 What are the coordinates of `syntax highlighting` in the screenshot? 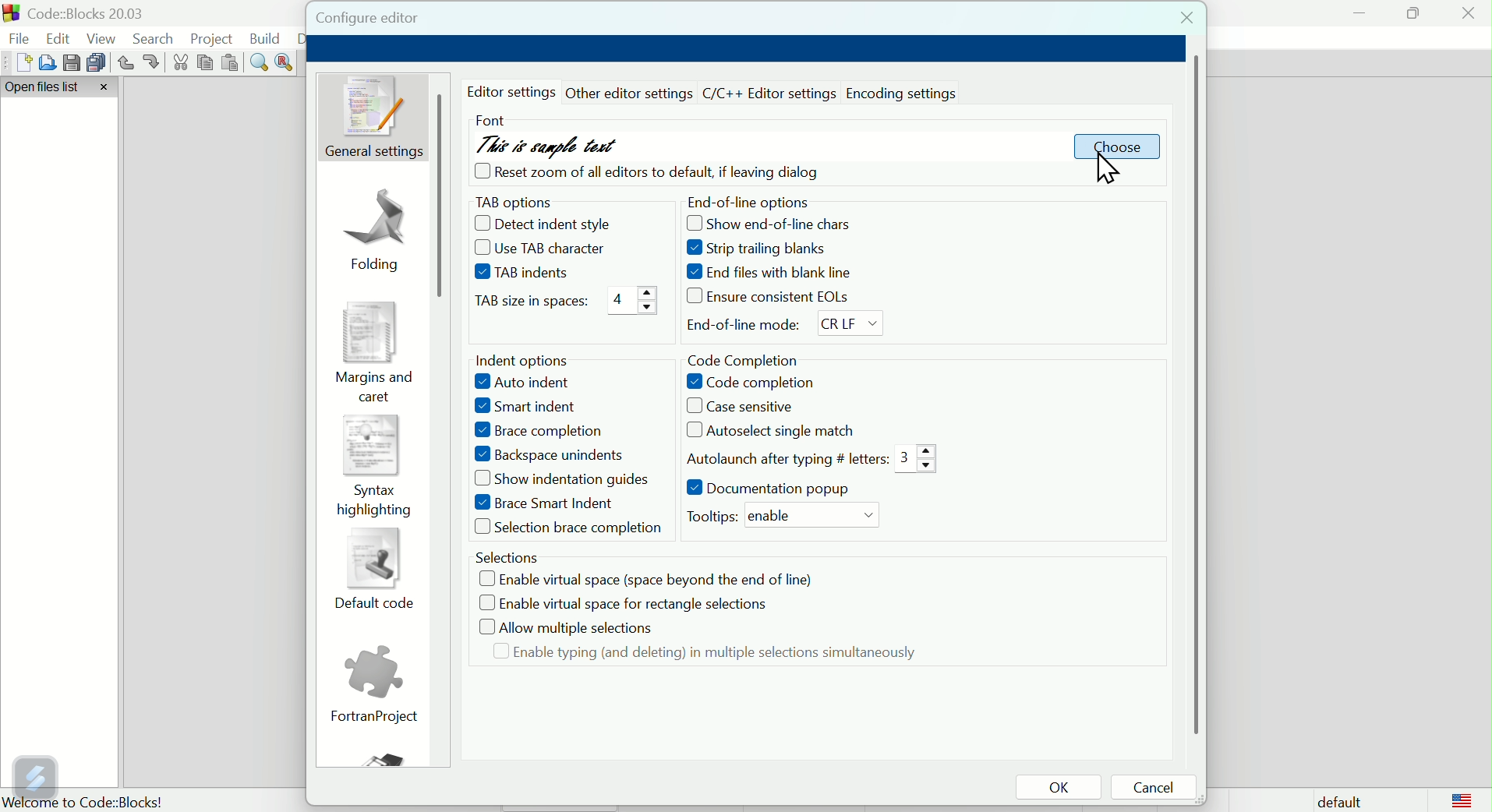 It's located at (373, 468).